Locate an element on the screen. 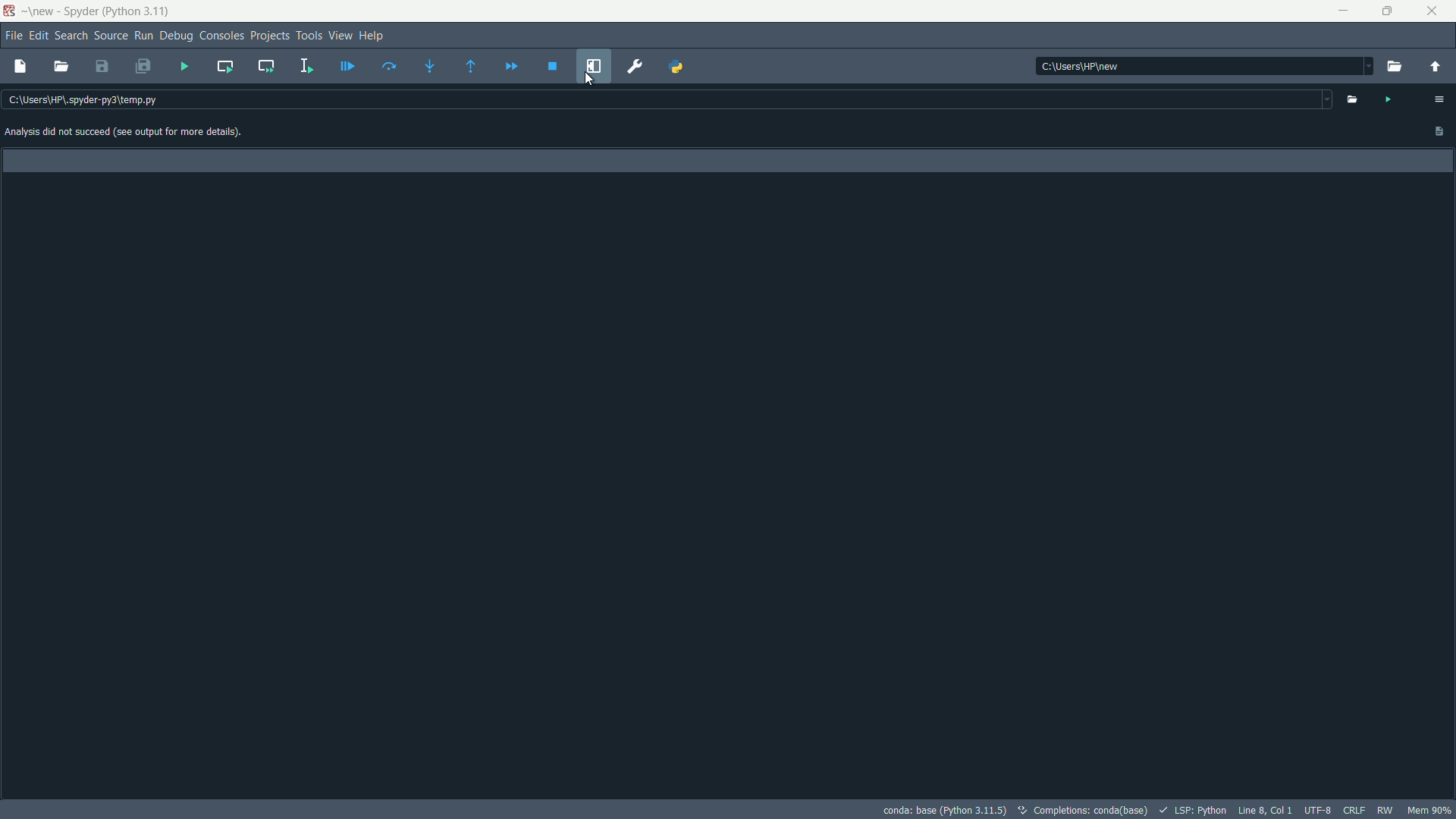 This screenshot has width=1456, height=819. close app is located at coordinates (1436, 11).